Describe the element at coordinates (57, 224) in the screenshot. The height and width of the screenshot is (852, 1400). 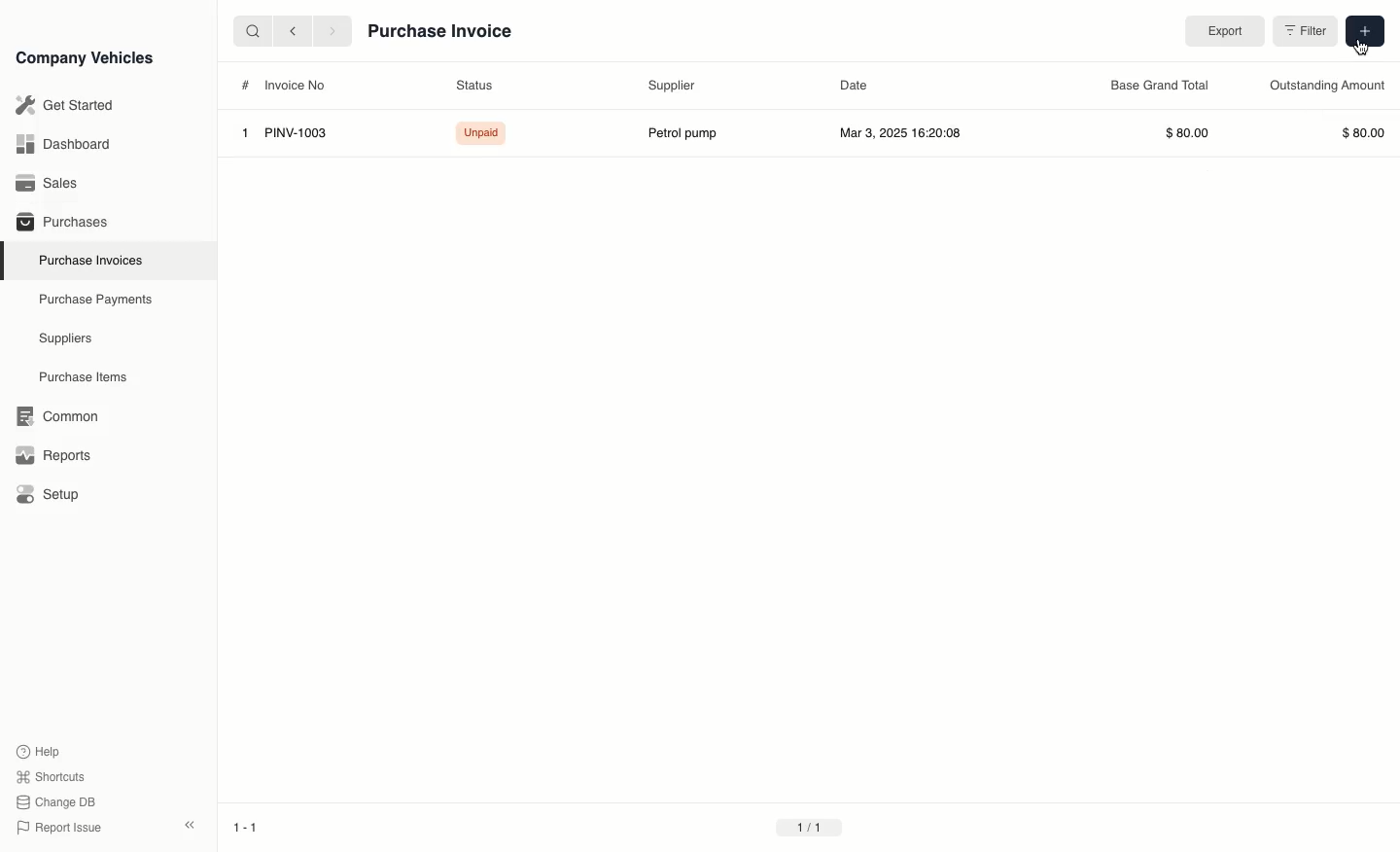
I see `Purchases` at that location.